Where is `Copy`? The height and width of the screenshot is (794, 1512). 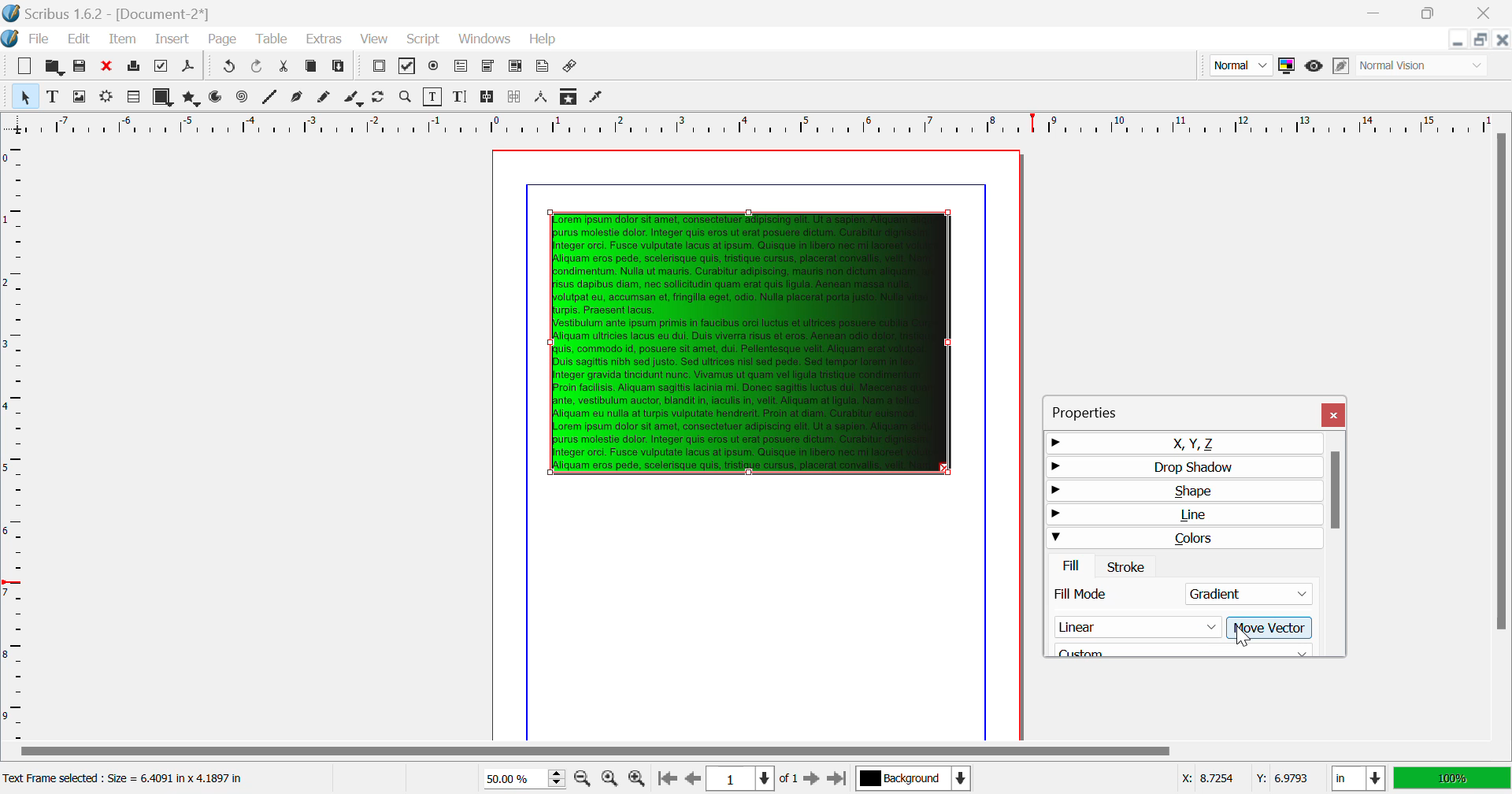 Copy is located at coordinates (312, 69).